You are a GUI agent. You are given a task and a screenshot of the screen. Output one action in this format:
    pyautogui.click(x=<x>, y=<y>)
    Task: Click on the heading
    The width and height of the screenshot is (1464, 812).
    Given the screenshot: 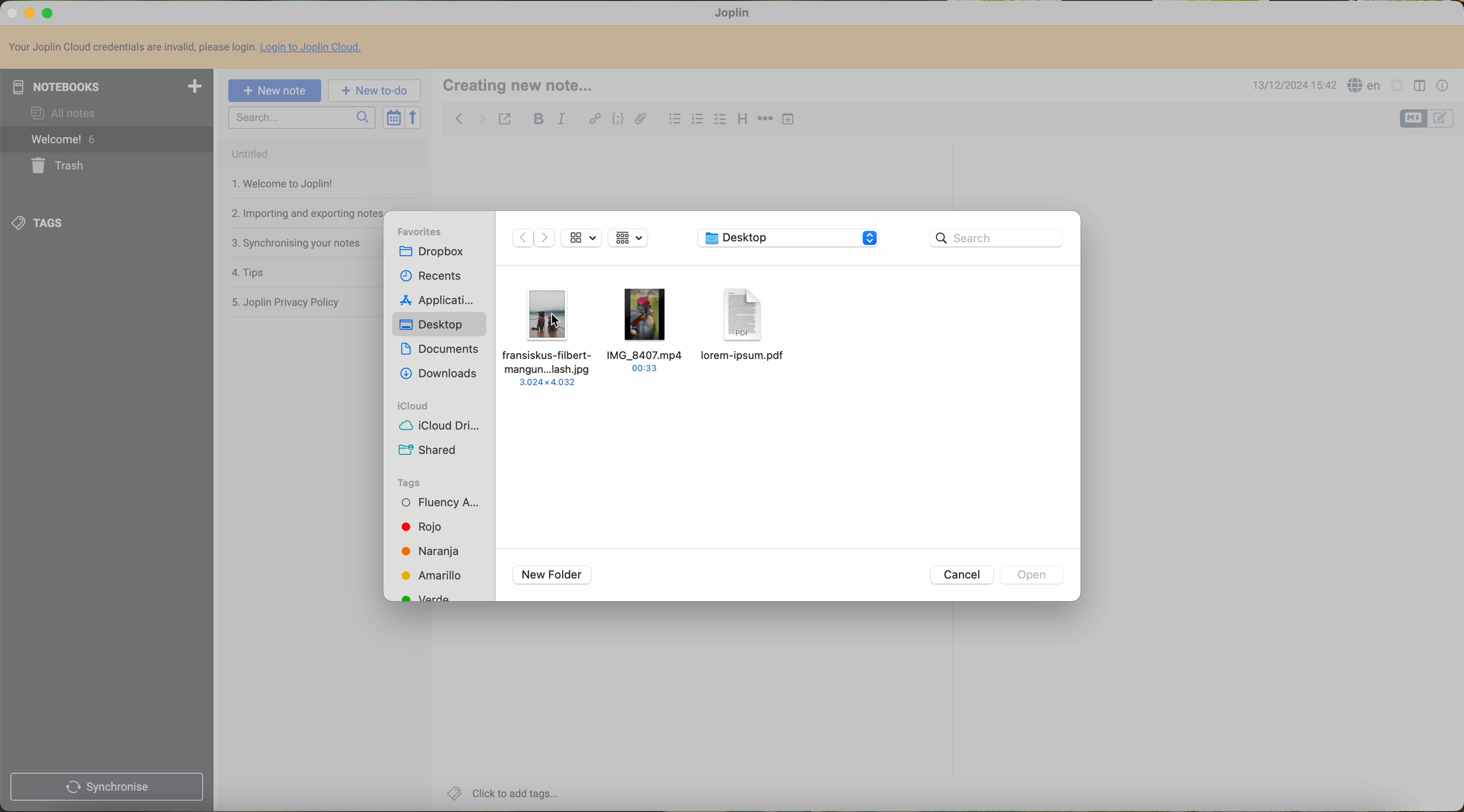 What is the action you would take?
    pyautogui.click(x=743, y=120)
    